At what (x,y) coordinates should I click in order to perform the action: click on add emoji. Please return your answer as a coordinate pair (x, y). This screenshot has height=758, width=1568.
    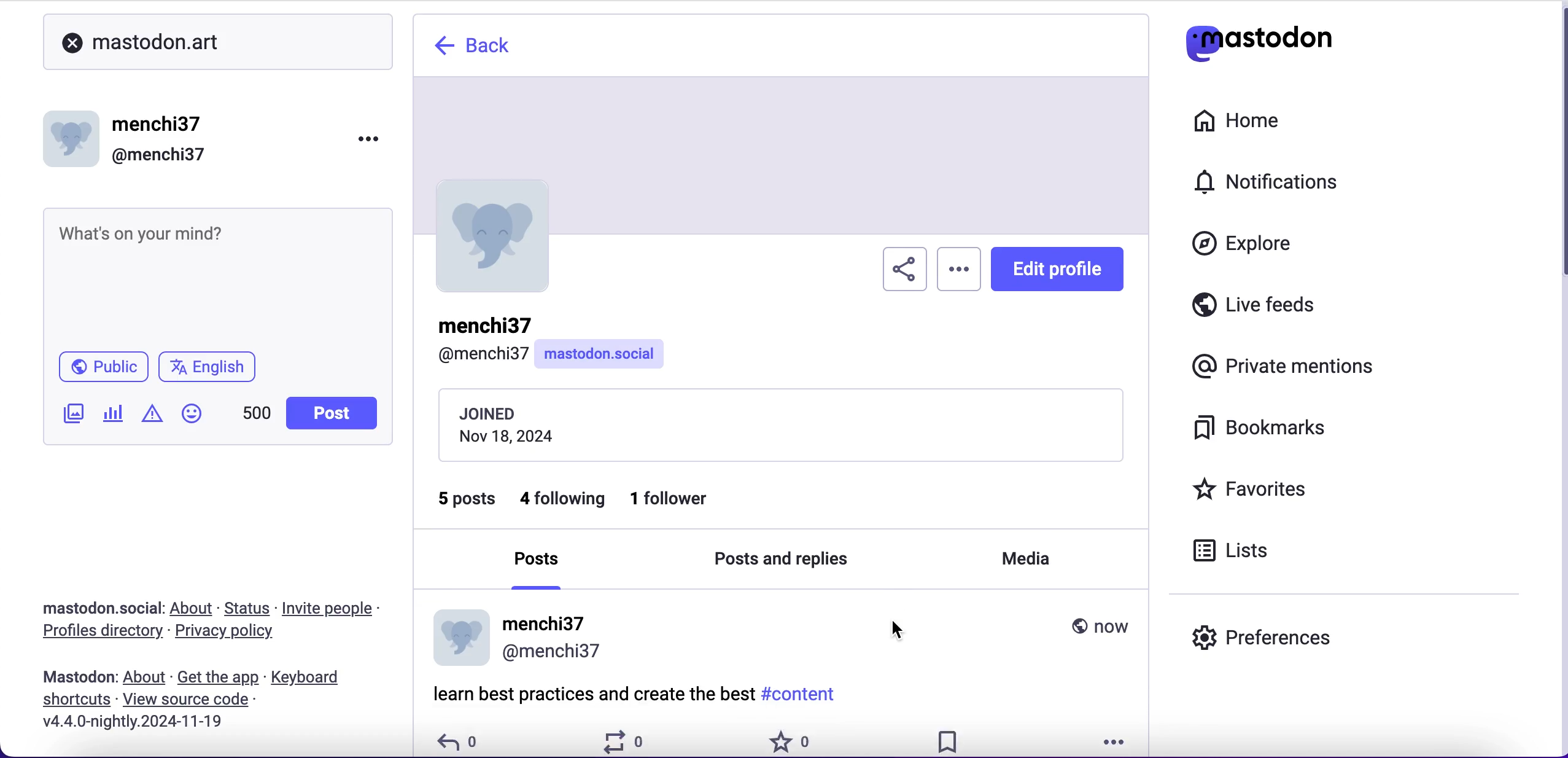
    Looking at the image, I should click on (192, 419).